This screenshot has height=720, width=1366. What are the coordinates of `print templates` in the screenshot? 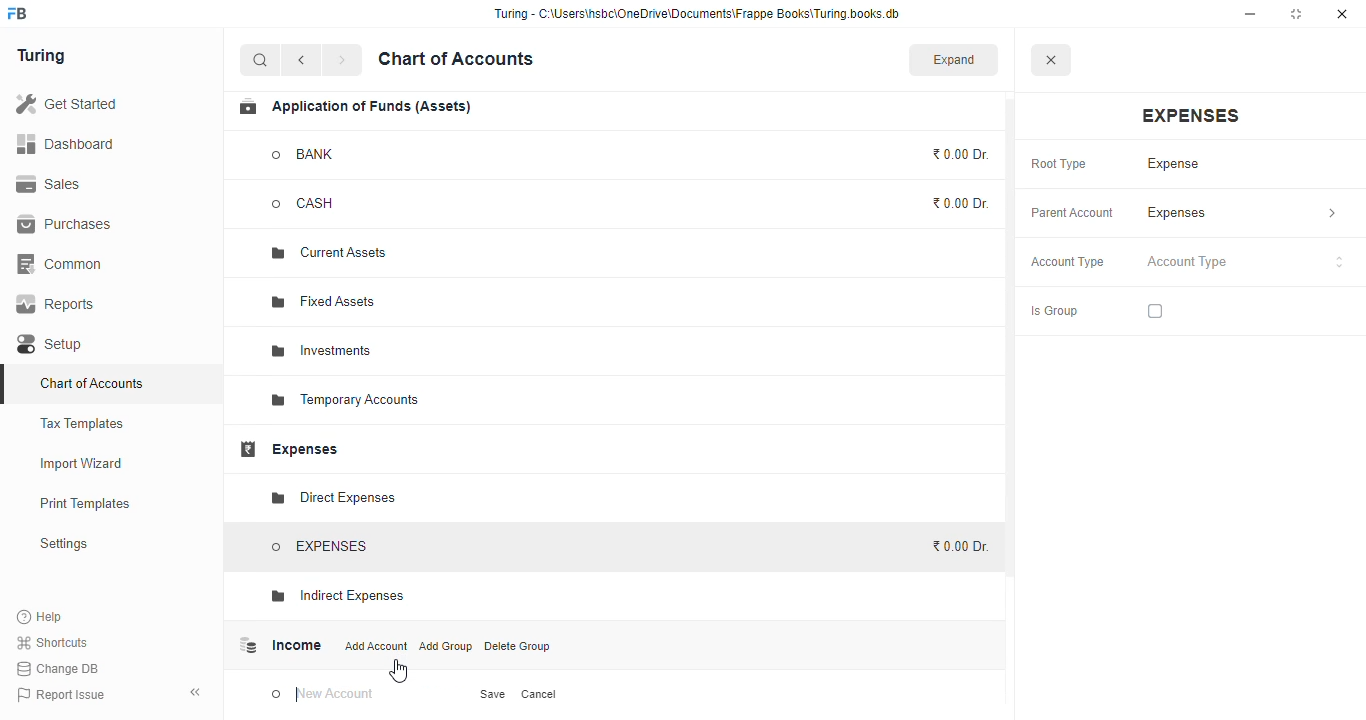 It's located at (85, 503).